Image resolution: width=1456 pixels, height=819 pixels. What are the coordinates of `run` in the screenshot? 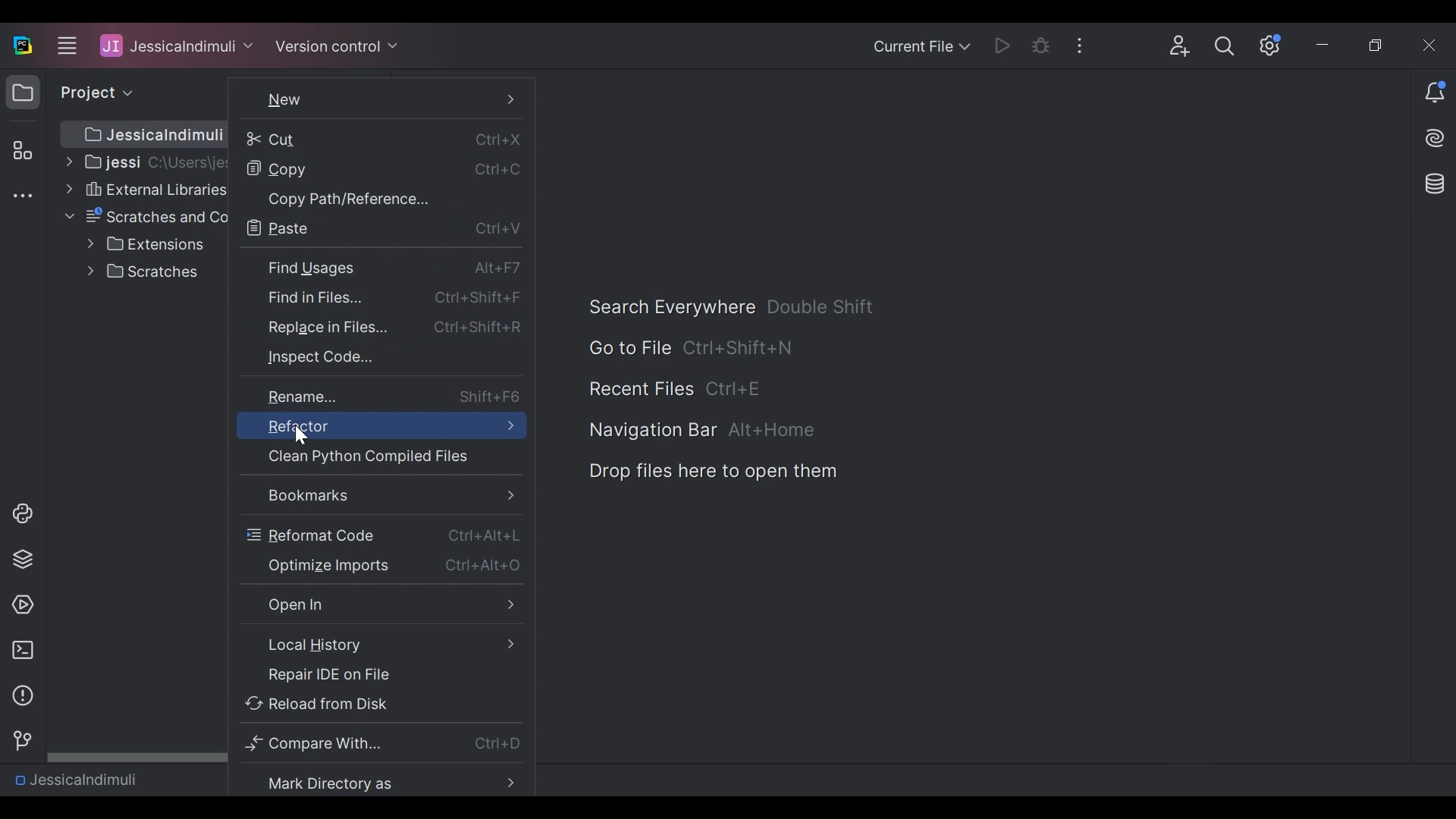 It's located at (19, 605).